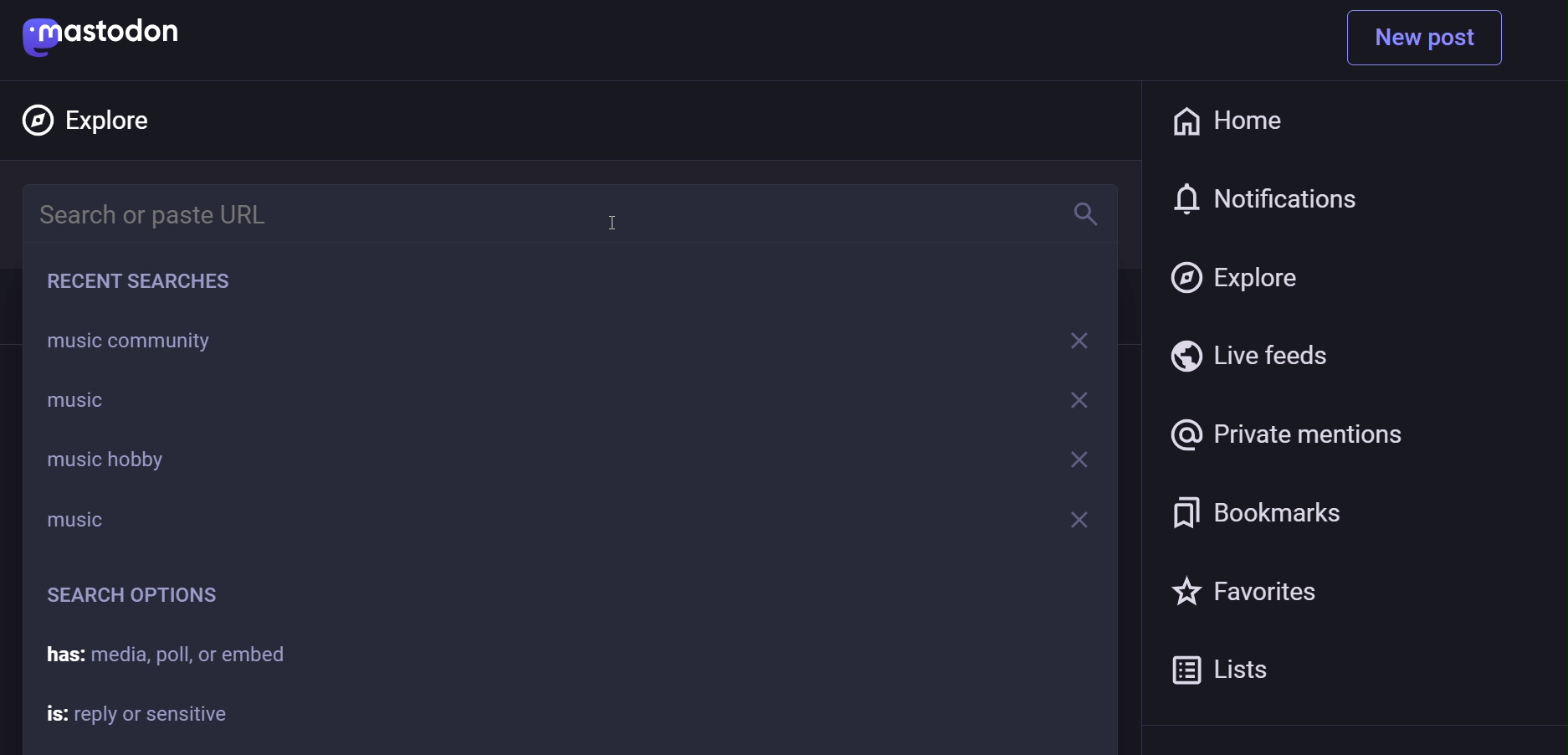  Describe the element at coordinates (85, 403) in the screenshot. I see `music` at that location.